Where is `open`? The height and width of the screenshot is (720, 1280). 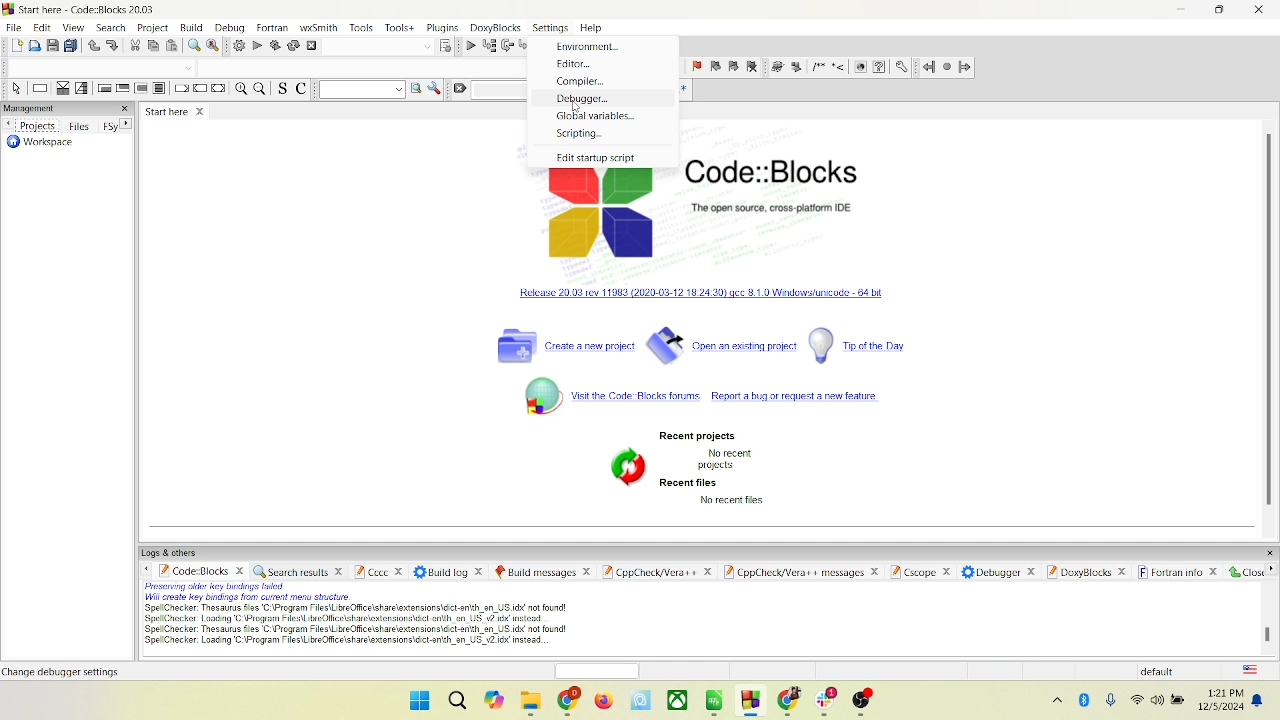
open is located at coordinates (35, 45).